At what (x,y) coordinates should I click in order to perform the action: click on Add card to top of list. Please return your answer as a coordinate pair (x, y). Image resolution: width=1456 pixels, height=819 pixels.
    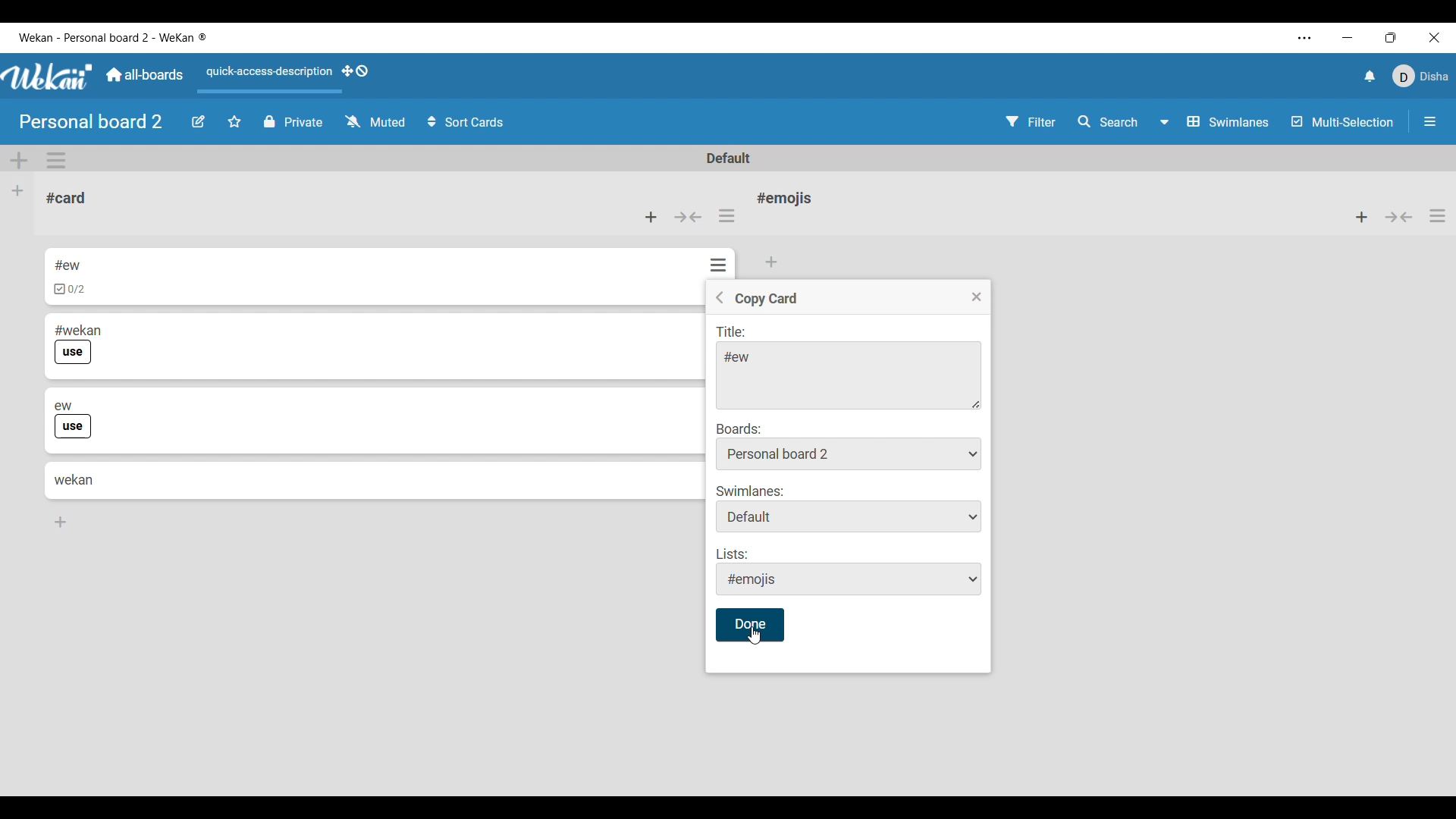
    Looking at the image, I should click on (651, 218).